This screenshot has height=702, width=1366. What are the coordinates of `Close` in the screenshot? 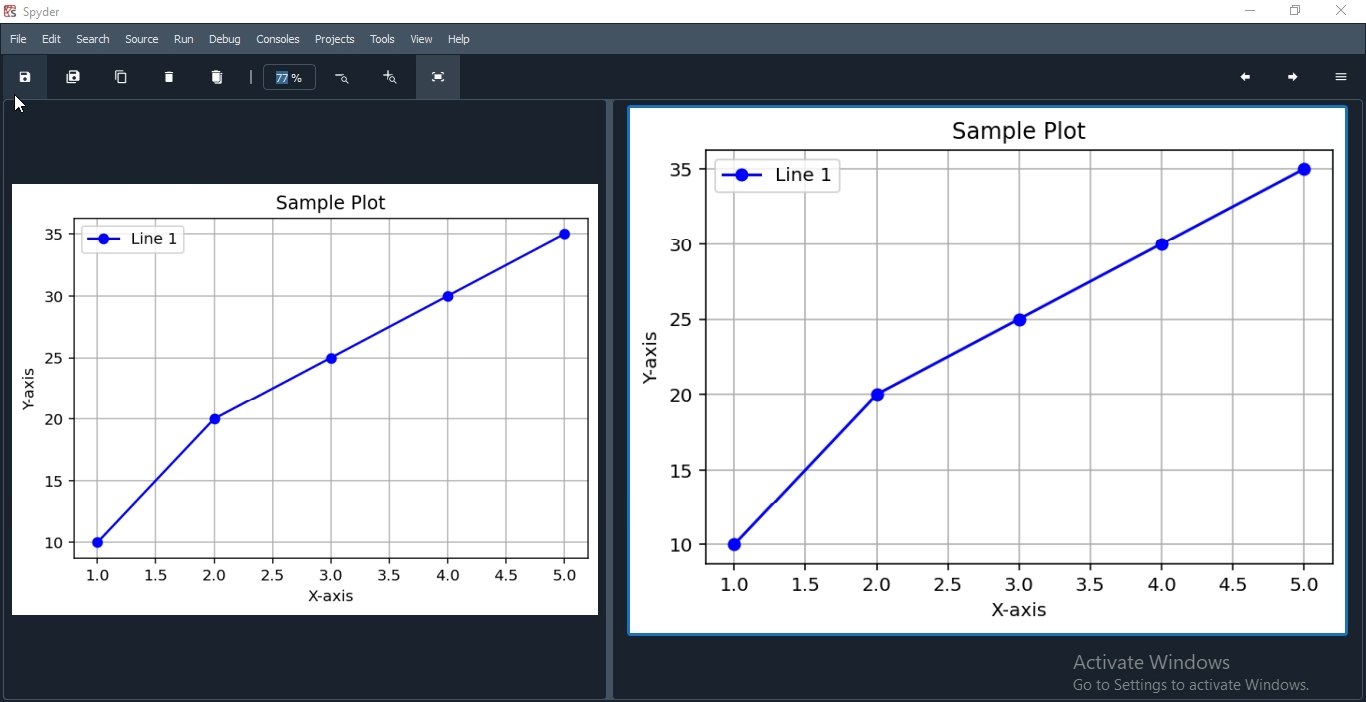 It's located at (1342, 11).